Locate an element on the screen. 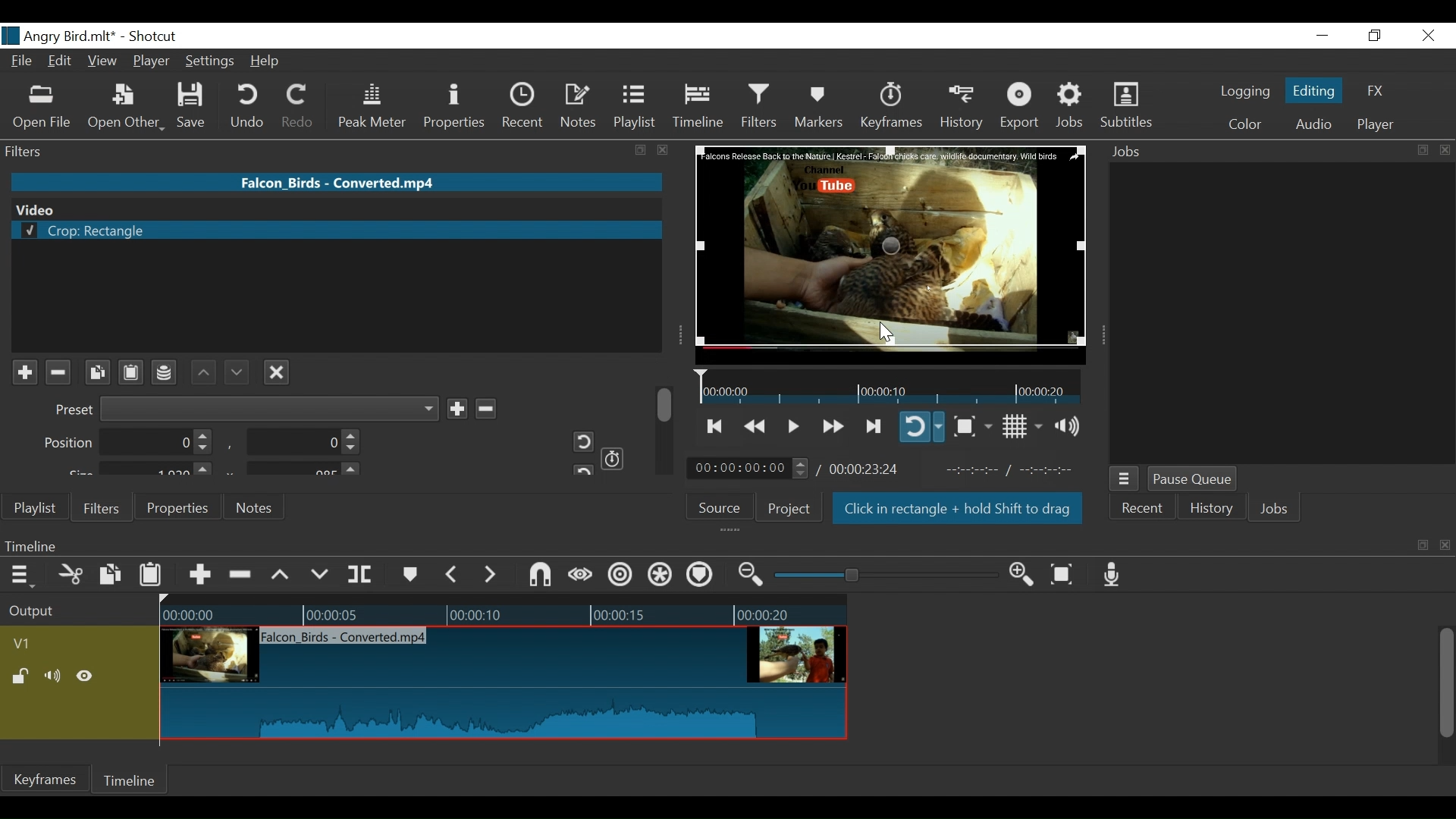  Filters is located at coordinates (99, 507).